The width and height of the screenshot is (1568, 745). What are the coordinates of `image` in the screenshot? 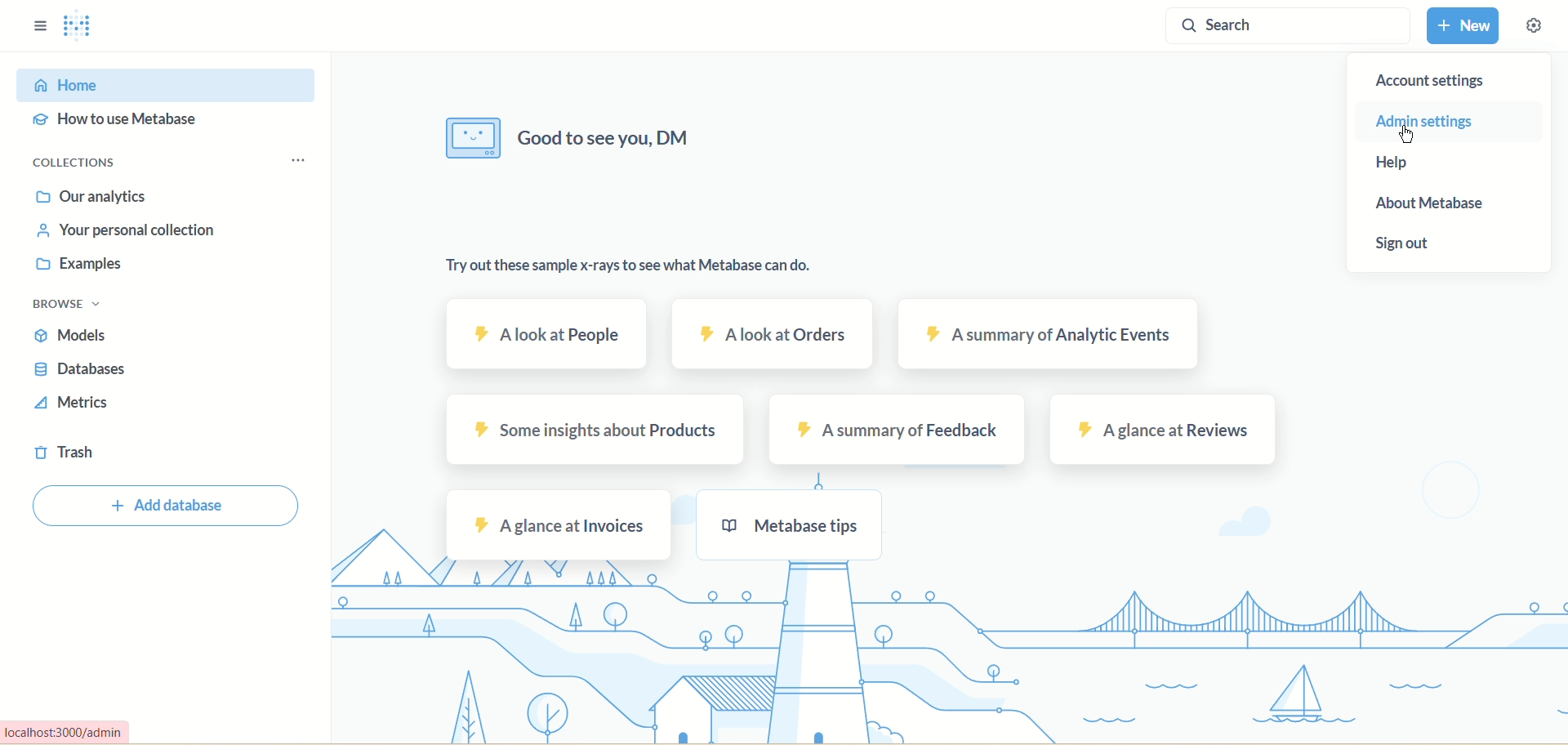 It's located at (471, 136).